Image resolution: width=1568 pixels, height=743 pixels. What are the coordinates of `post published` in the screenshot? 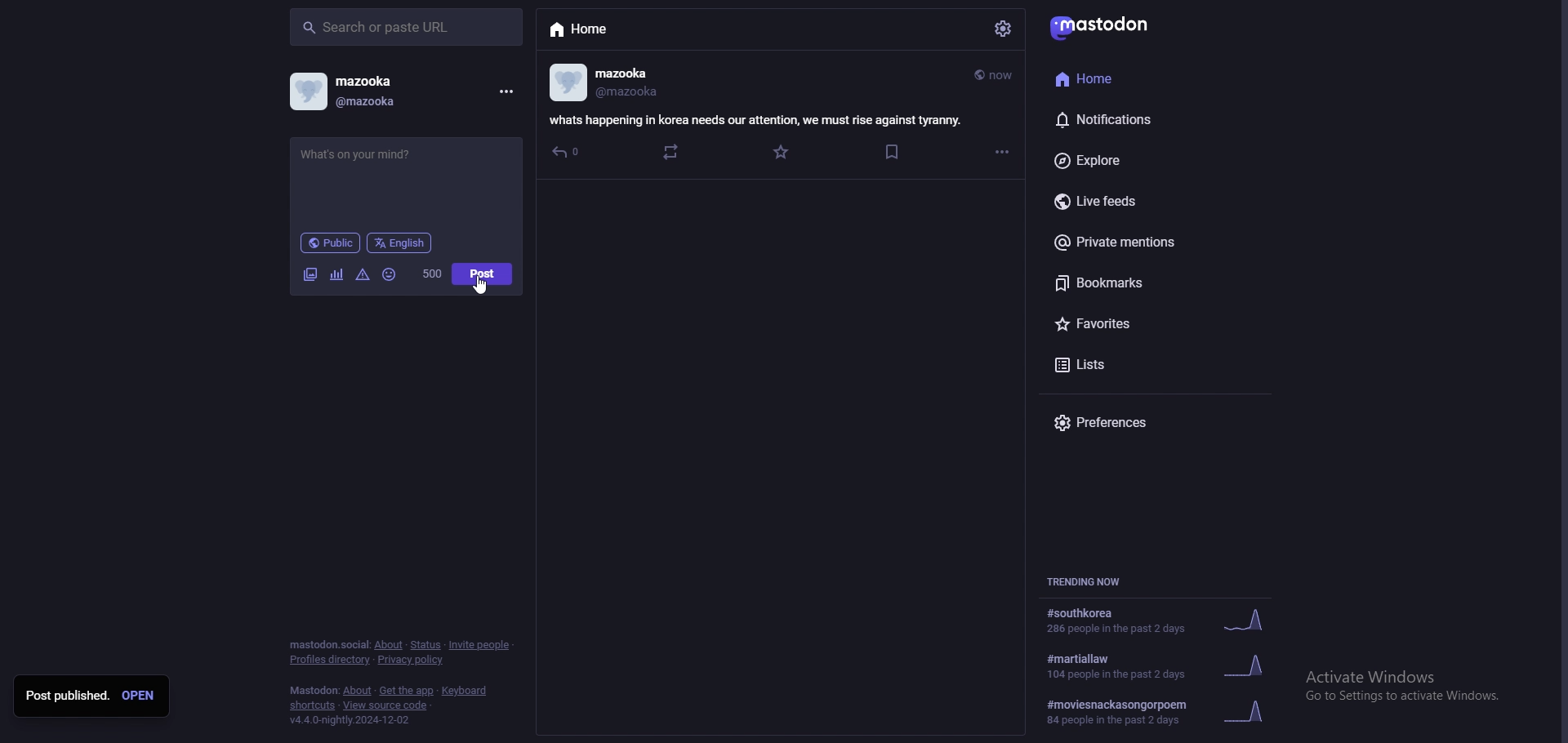 It's located at (66, 697).